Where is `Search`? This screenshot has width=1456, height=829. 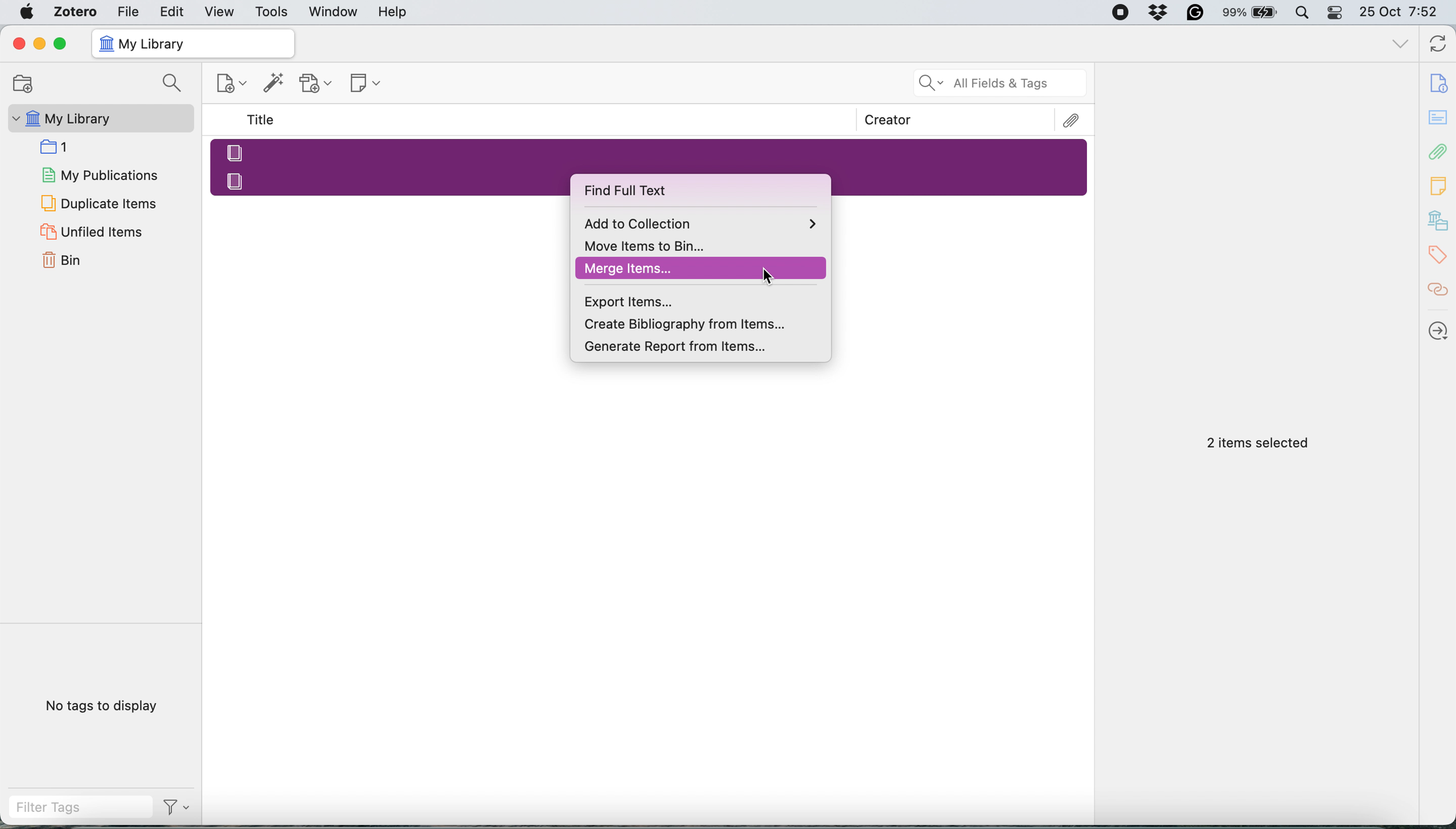
Search is located at coordinates (175, 84).